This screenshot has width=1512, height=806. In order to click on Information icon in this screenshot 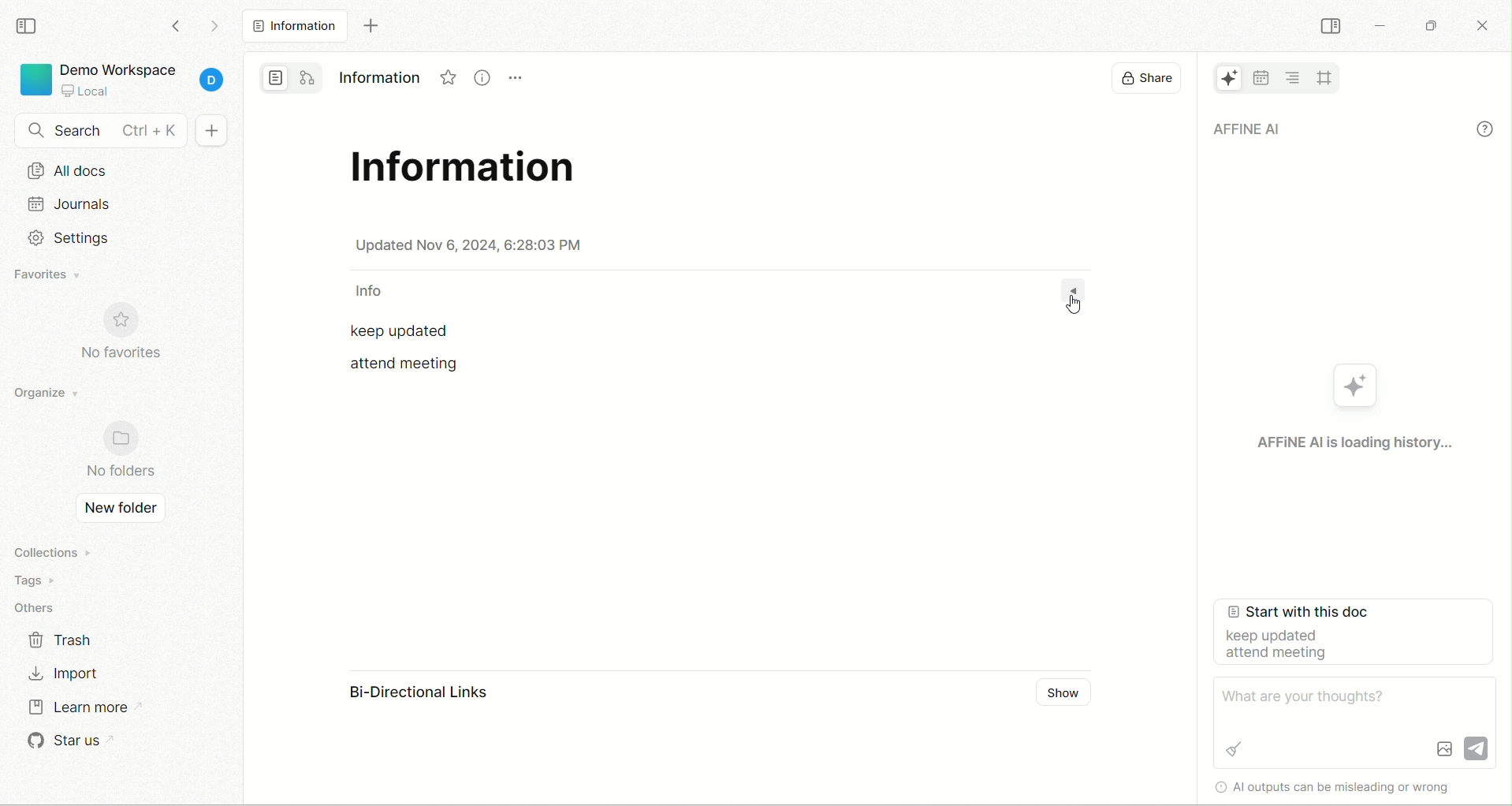, I will do `click(482, 79)`.